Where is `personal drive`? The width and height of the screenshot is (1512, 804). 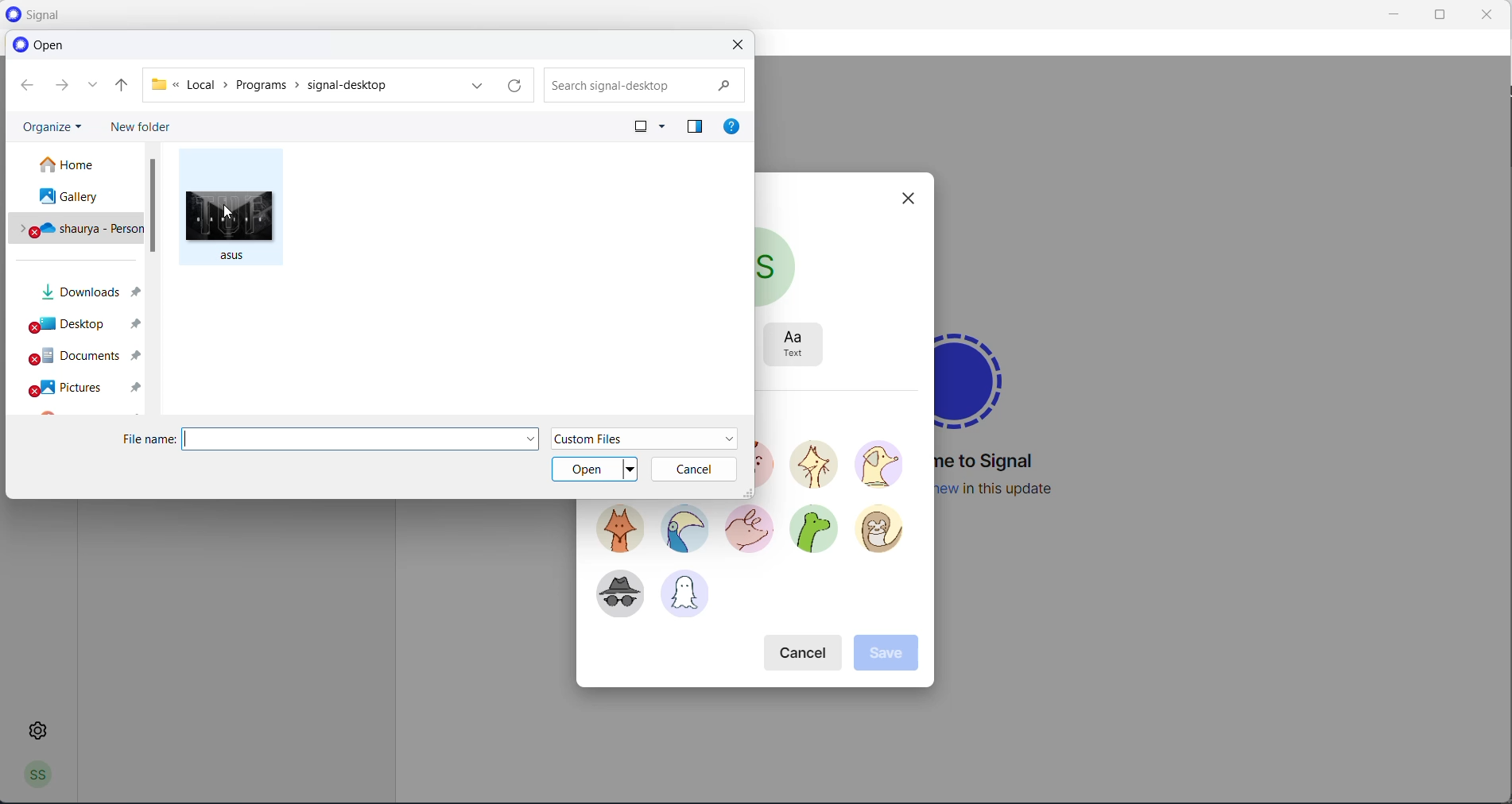
personal drive is located at coordinates (76, 234).